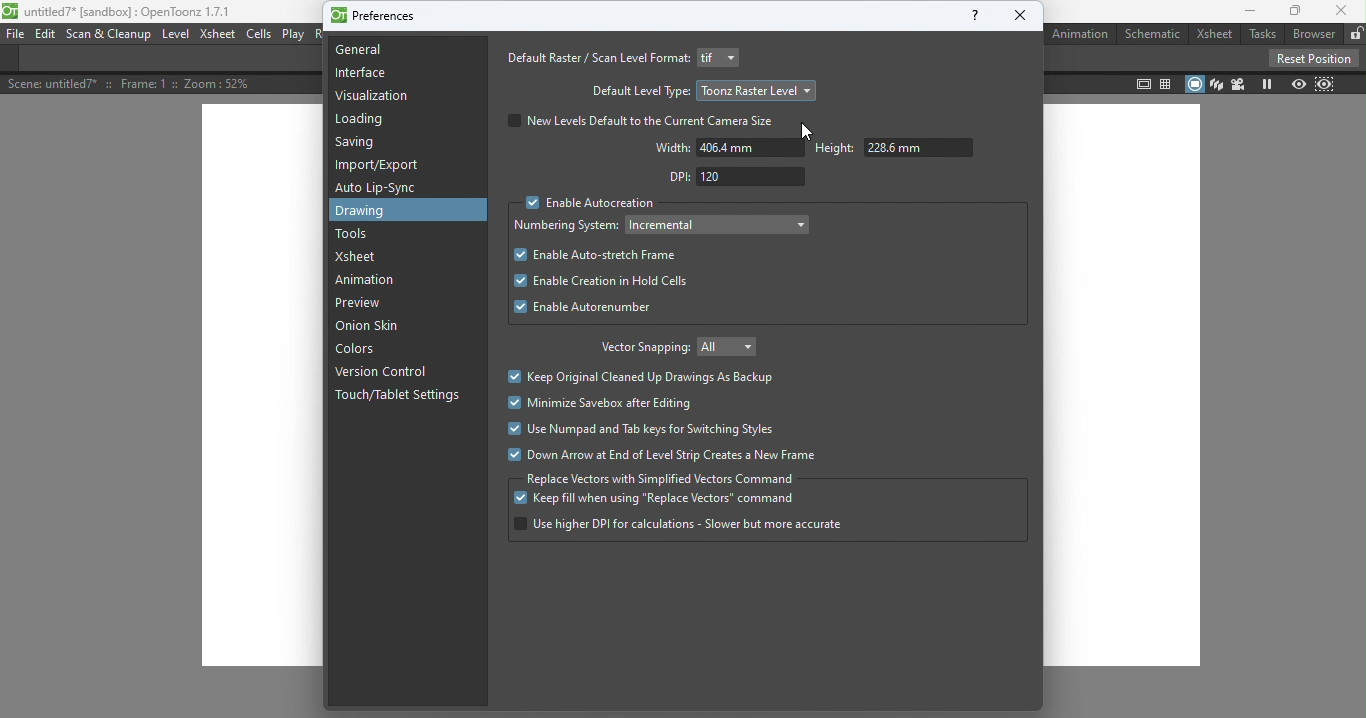  What do you see at coordinates (598, 403) in the screenshot?
I see `Minimize savebox after editing` at bounding box center [598, 403].